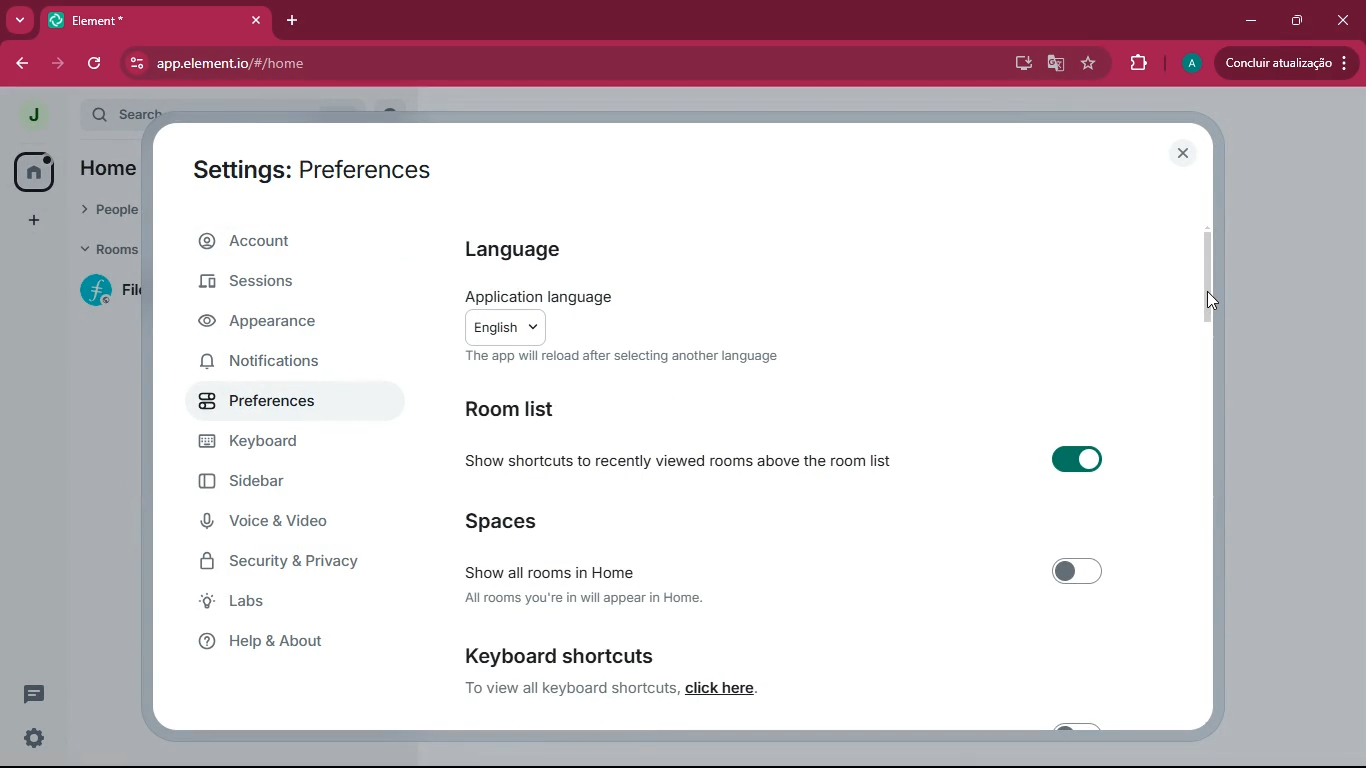 This screenshot has width=1366, height=768. I want to click on scroll bar, so click(1208, 279).